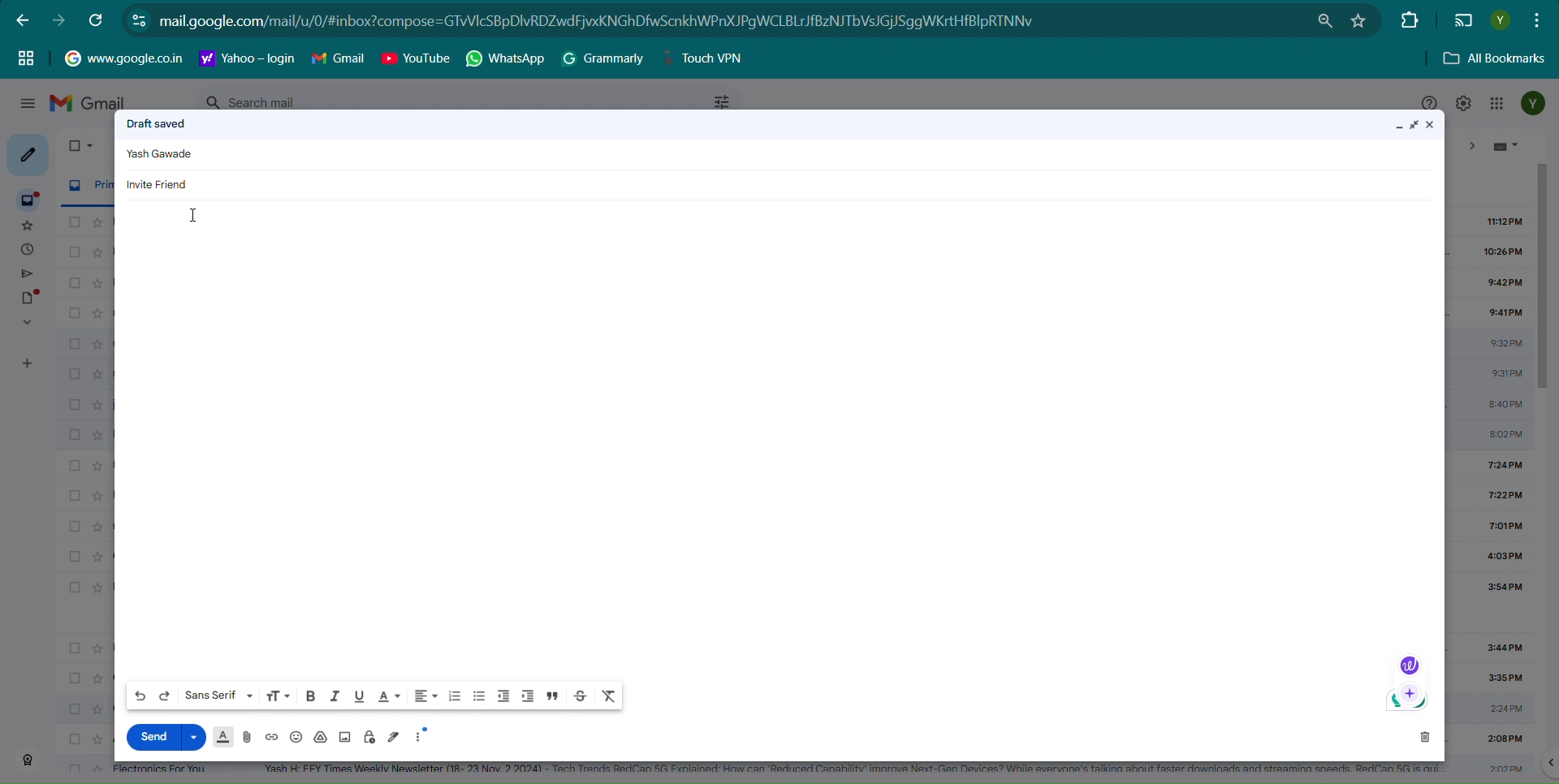  What do you see at coordinates (620, 21) in the screenshot?
I see `Hyper link` at bounding box center [620, 21].